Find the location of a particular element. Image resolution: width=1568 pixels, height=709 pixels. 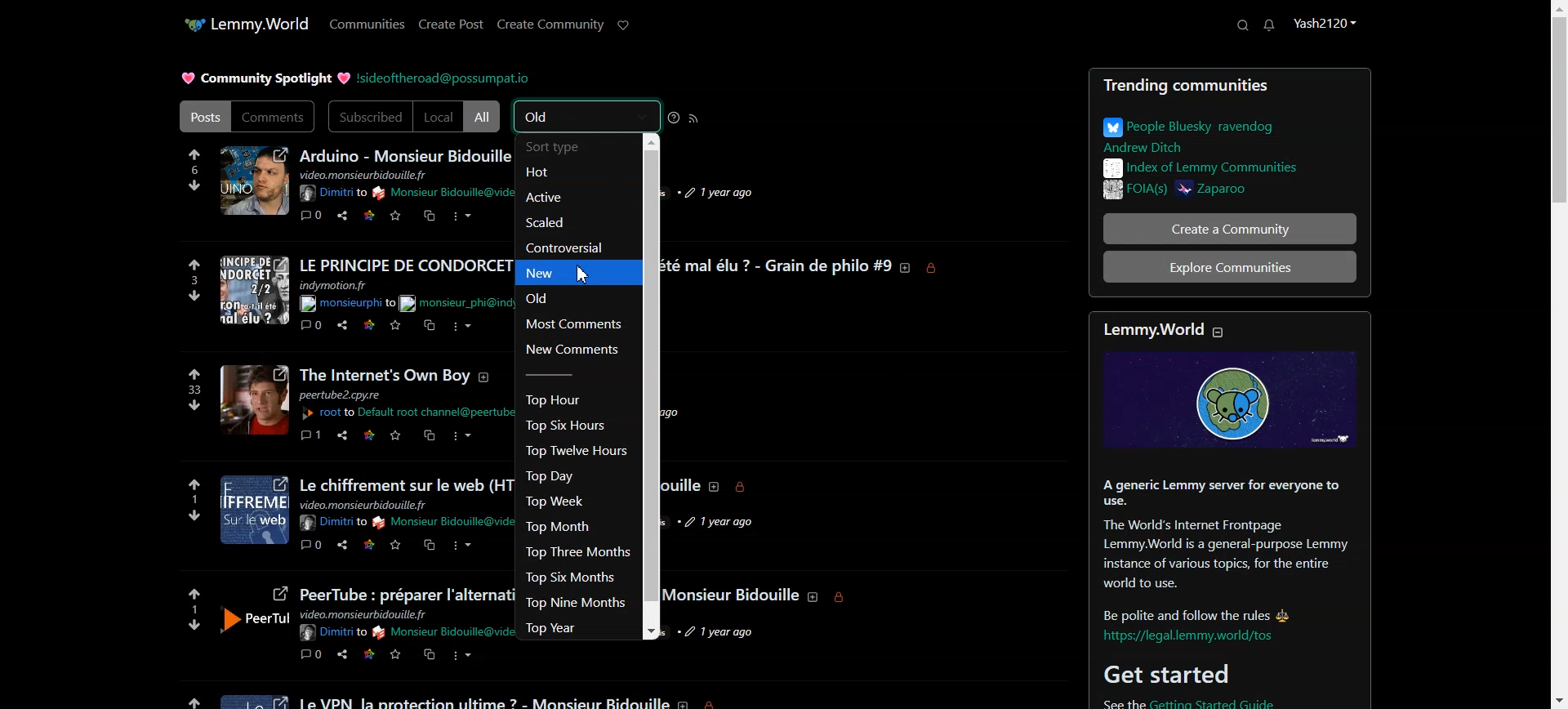

Top Hour is located at coordinates (560, 399).